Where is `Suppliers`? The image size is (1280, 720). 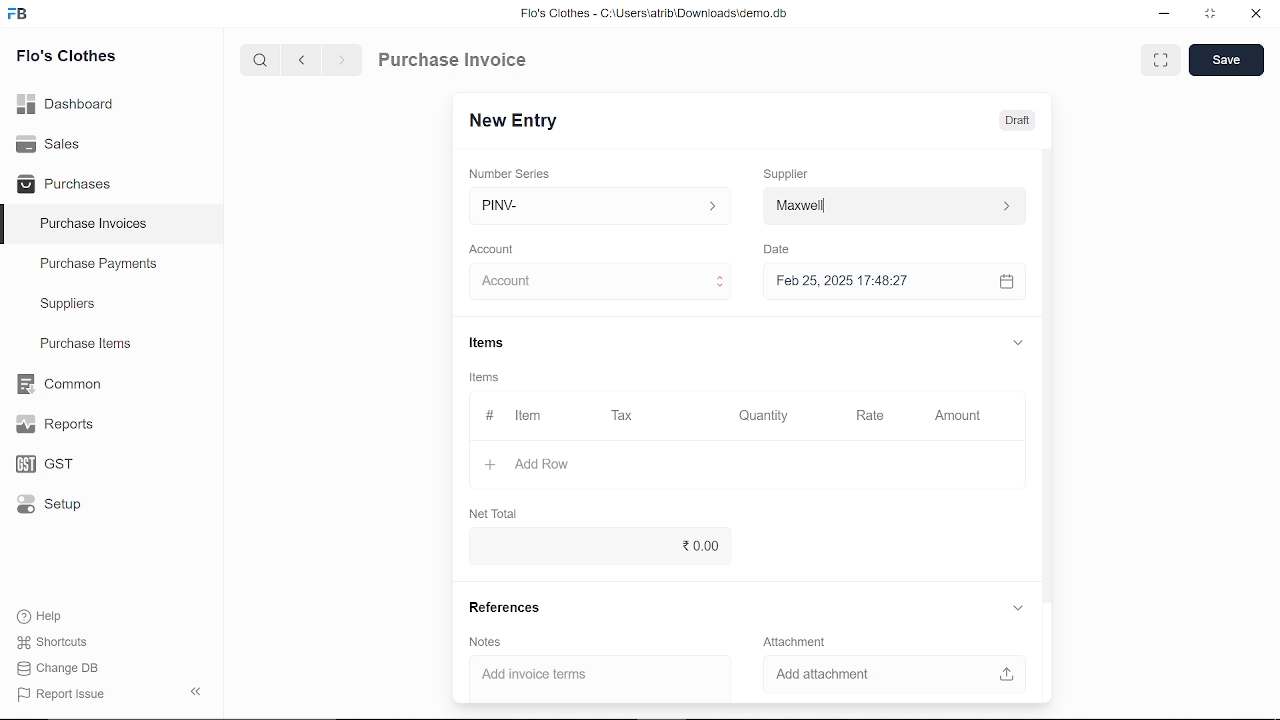
Suppliers is located at coordinates (68, 304).